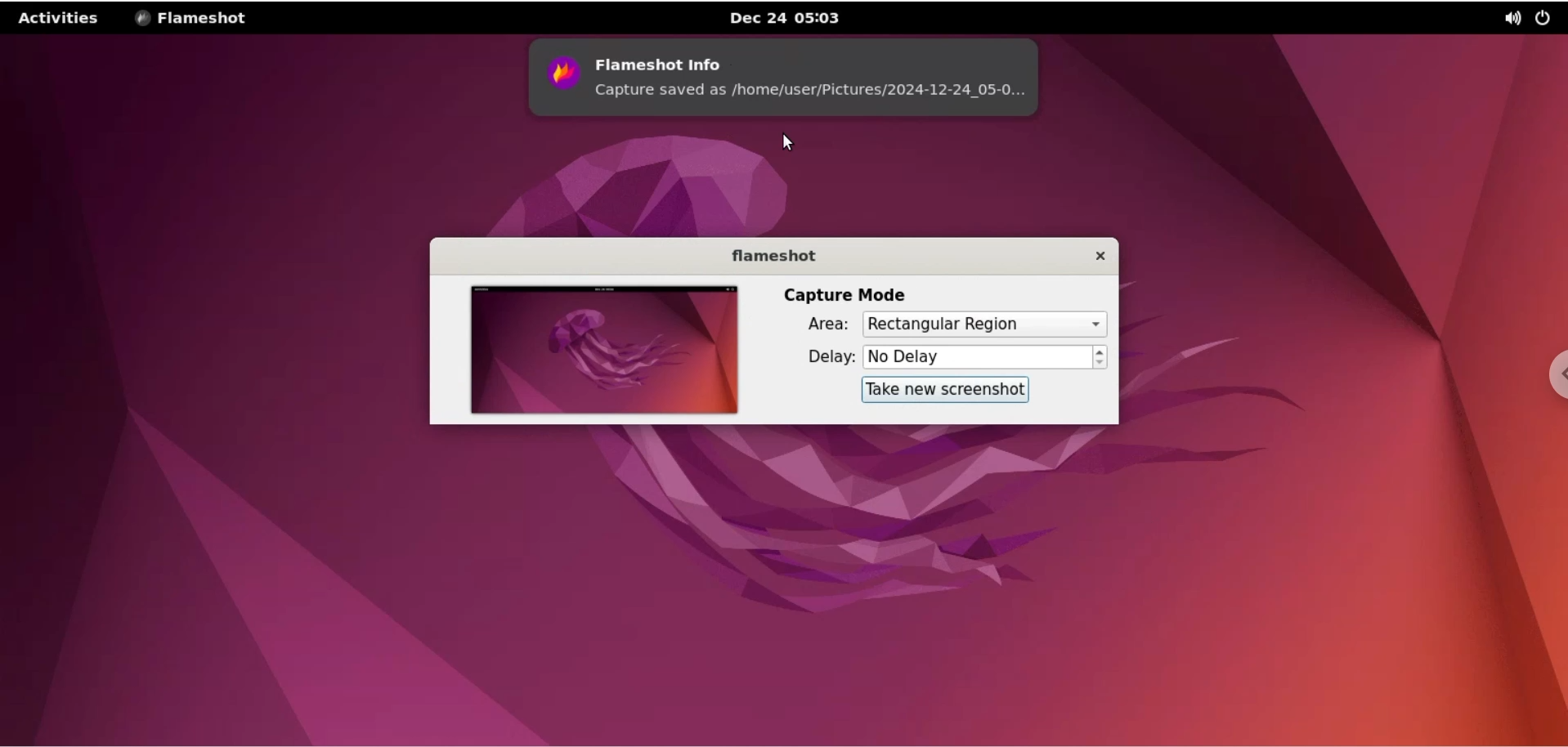 This screenshot has height=747, width=1568. I want to click on increment or decrement delay, so click(1101, 356).